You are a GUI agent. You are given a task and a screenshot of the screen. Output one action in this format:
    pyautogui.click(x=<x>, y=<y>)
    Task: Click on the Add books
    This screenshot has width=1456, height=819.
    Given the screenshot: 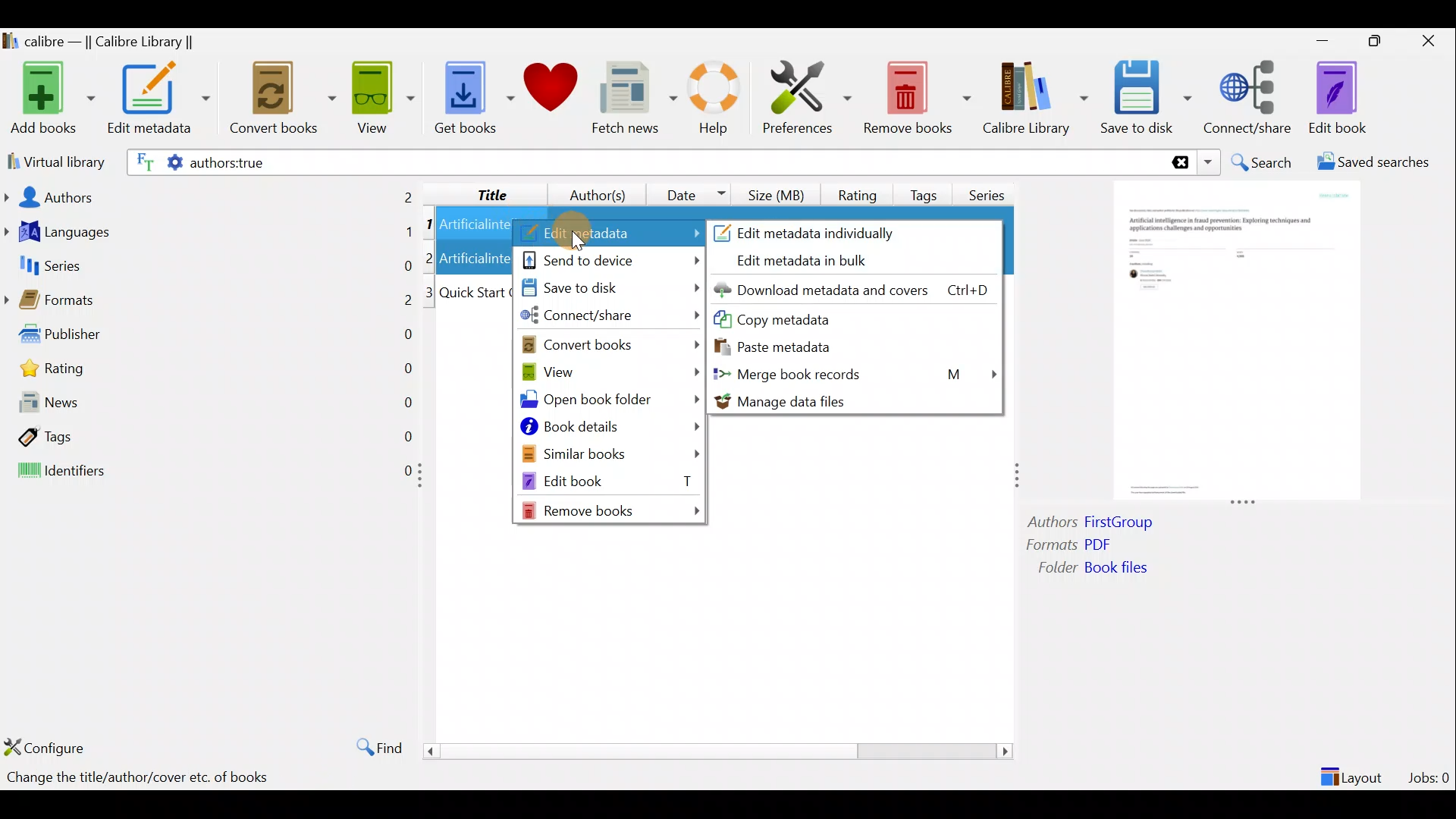 What is the action you would take?
    pyautogui.click(x=50, y=99)
    